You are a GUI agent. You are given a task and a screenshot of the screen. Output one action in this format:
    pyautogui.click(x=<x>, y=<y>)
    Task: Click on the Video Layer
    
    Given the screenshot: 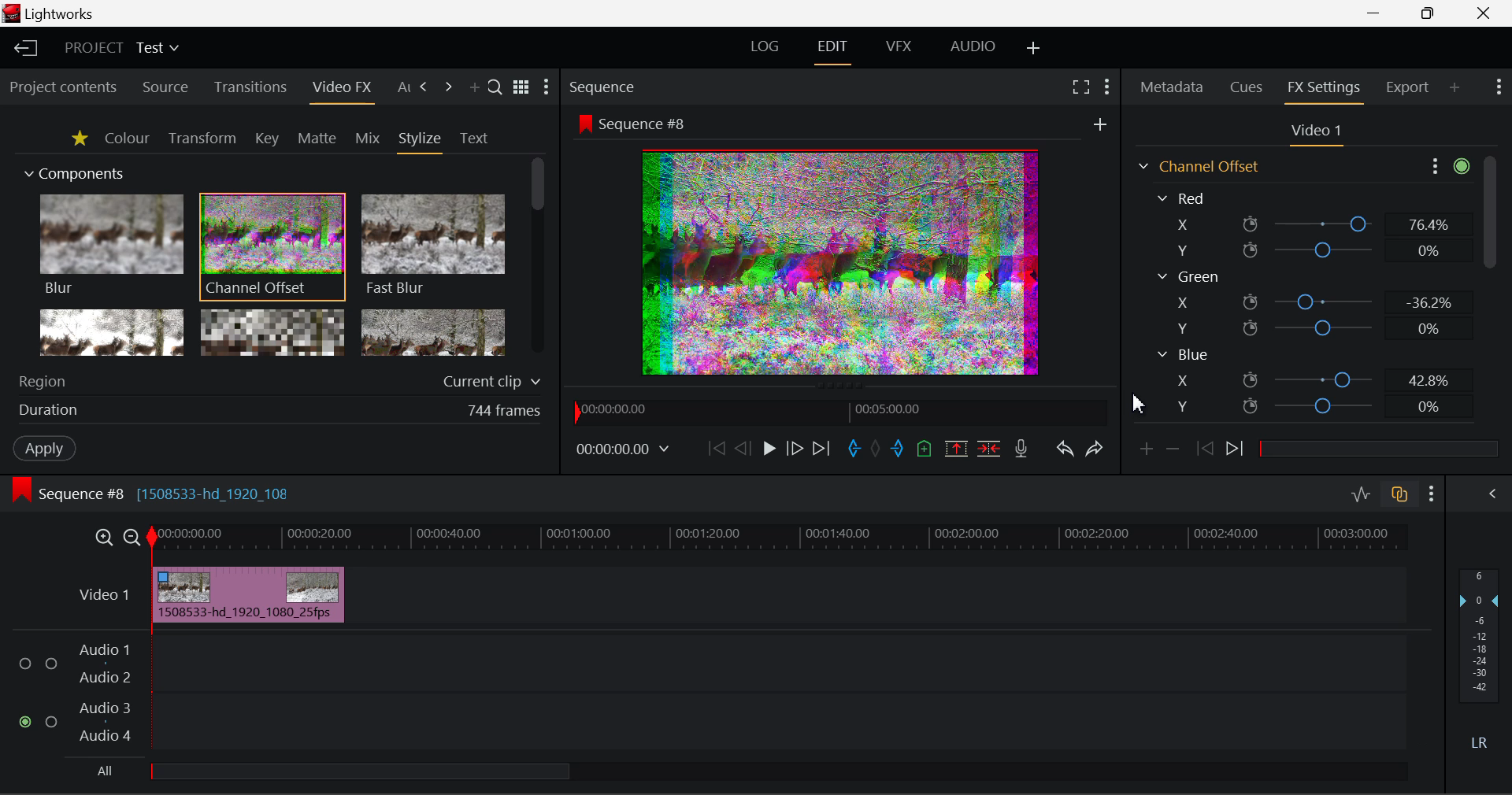 What is the action you would take?
    pyautogui.click(x=106, y=598)
    